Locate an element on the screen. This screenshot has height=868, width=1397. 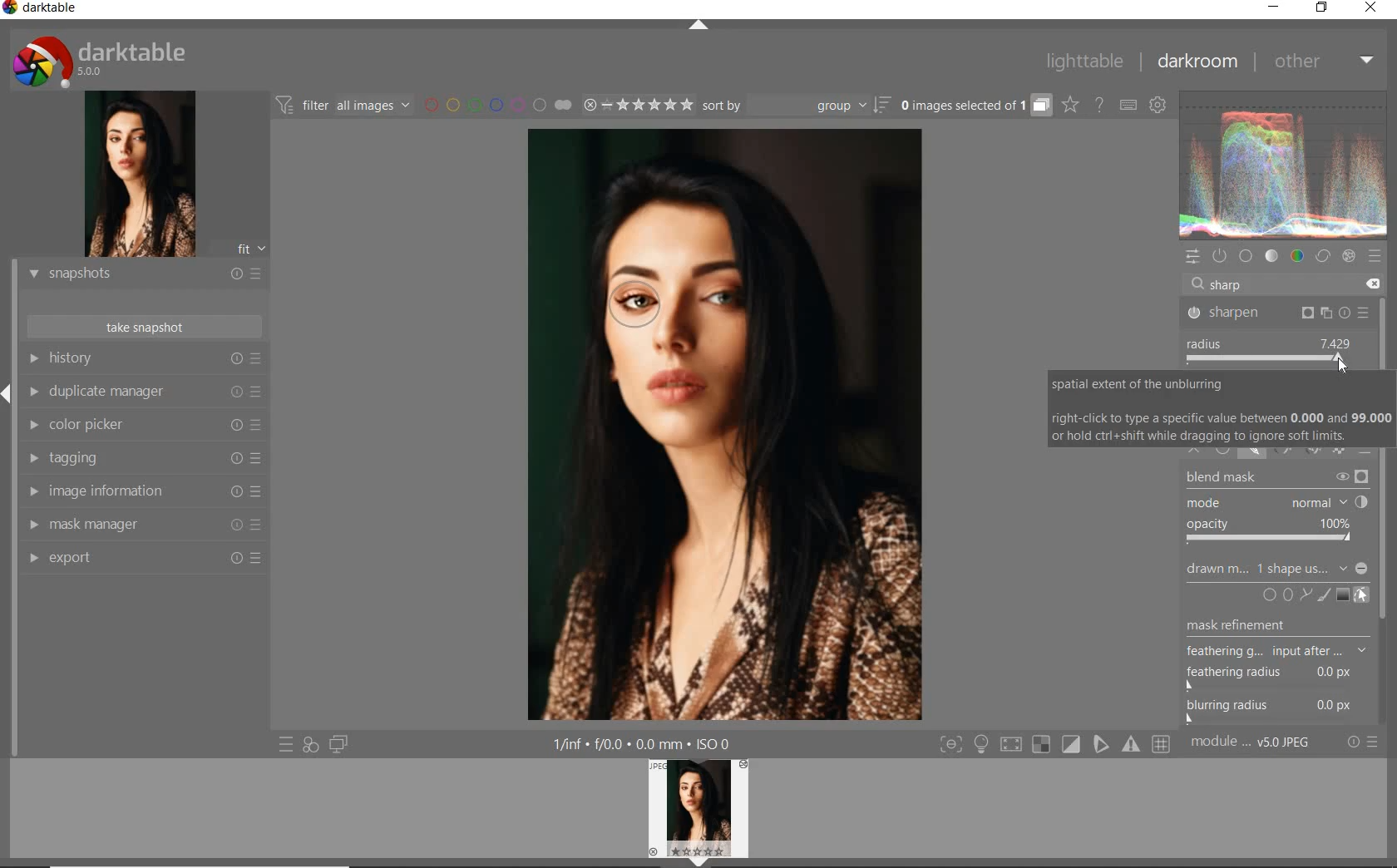
dropdown is located at coordinates (1343, 568).